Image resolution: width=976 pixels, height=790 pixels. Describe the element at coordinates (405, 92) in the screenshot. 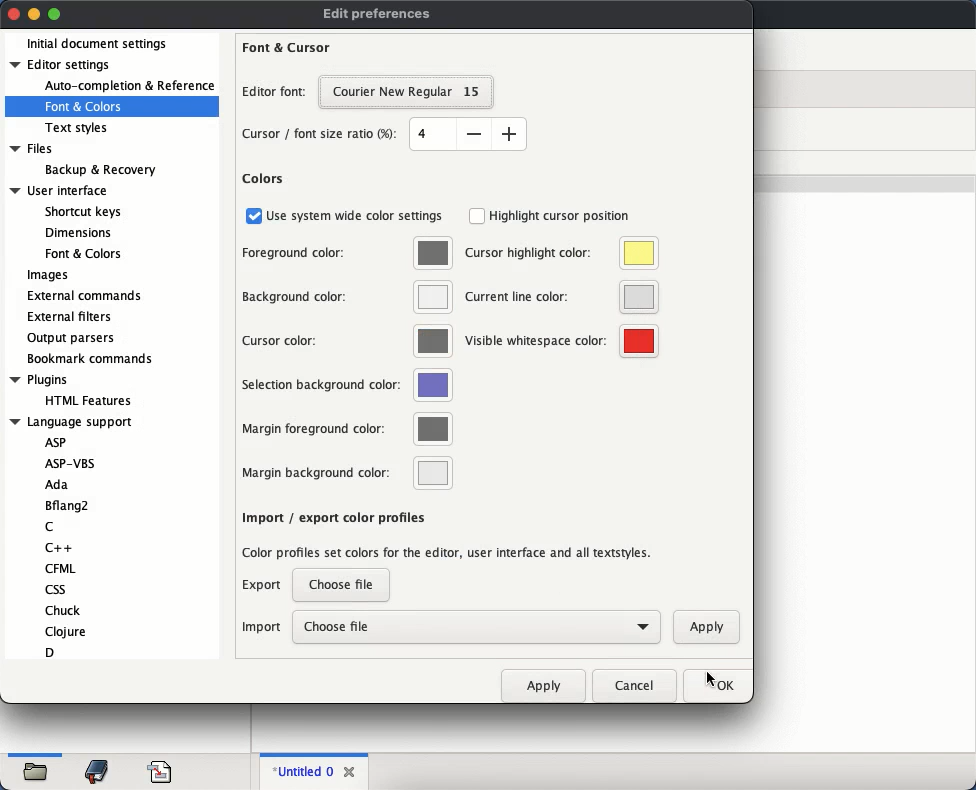

I see `select font` at that location.